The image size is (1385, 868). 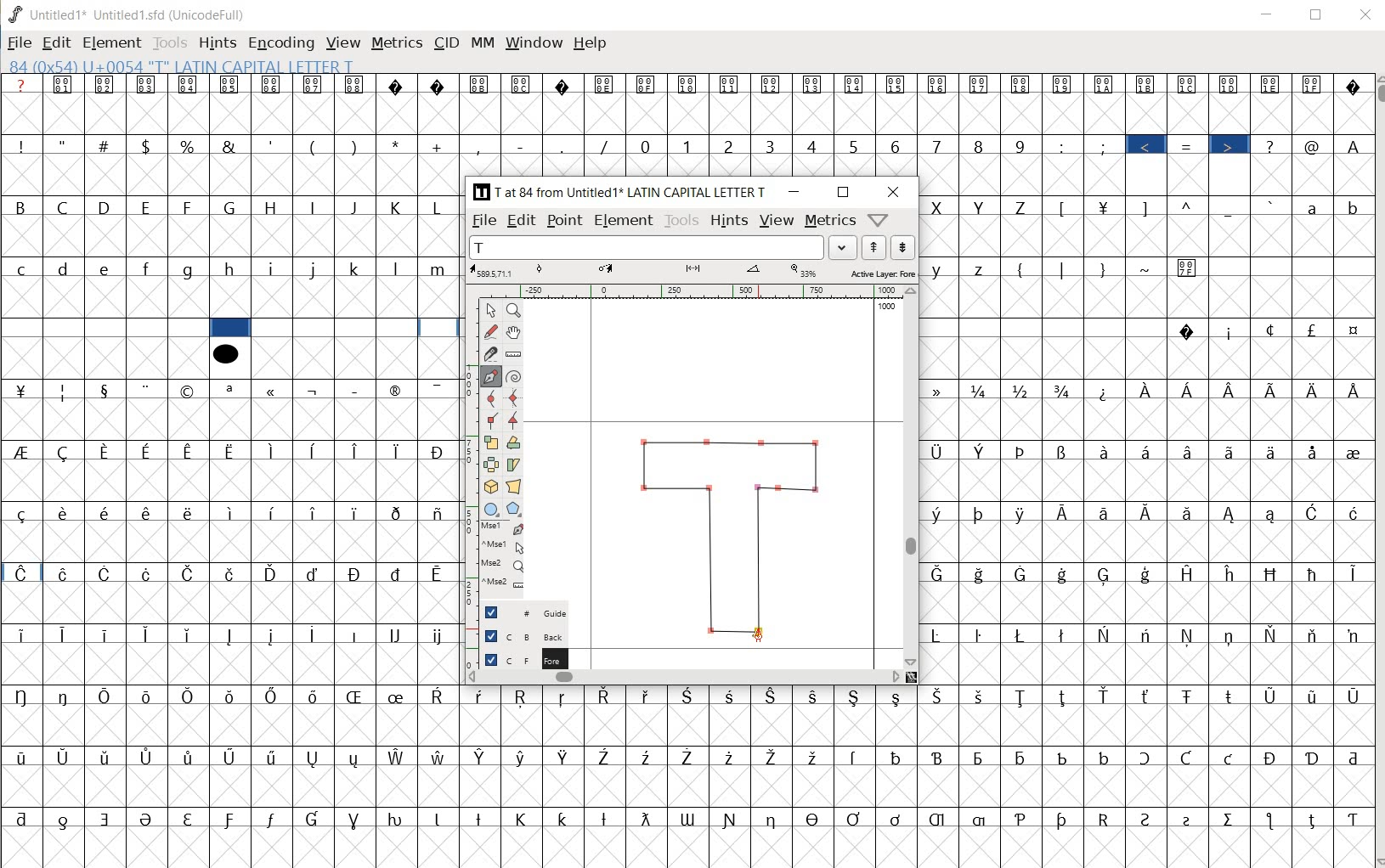 What do you see at coordinates (939, 759) in the screenshot?
I see `Symbol` at bounding box center [939, 759].